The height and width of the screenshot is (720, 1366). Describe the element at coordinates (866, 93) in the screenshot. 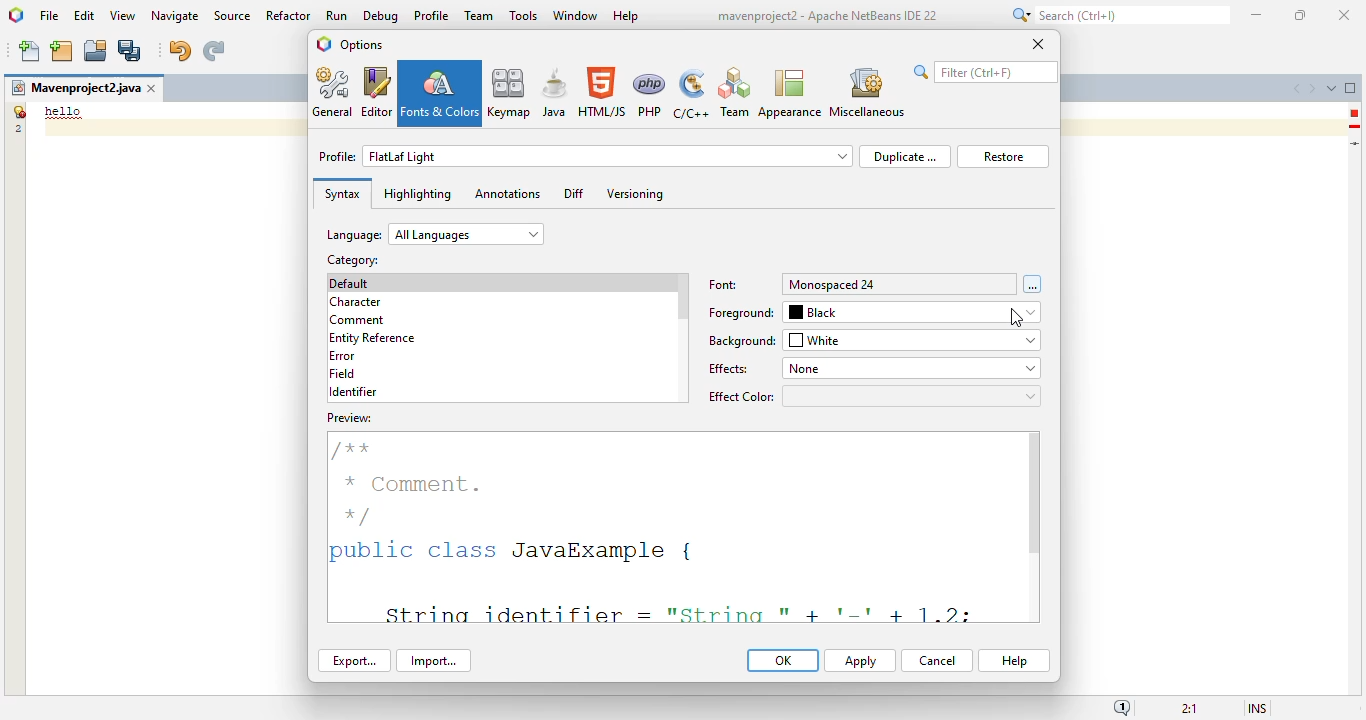

I see `miscellaneous` at that location.